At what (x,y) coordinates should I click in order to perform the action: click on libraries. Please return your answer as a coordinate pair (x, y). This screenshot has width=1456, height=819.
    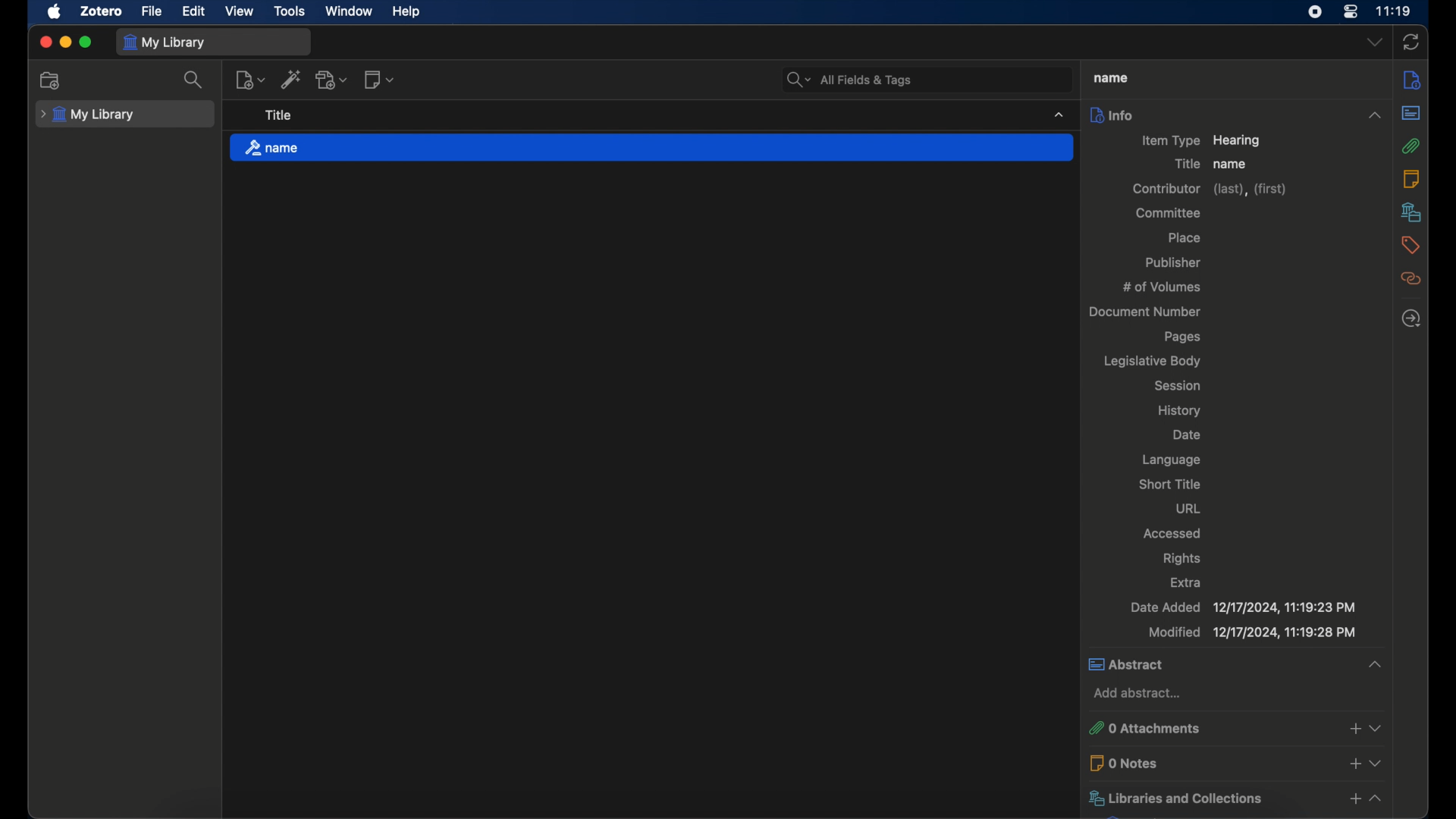
    Looking at the image, I should click on (1235, 798).